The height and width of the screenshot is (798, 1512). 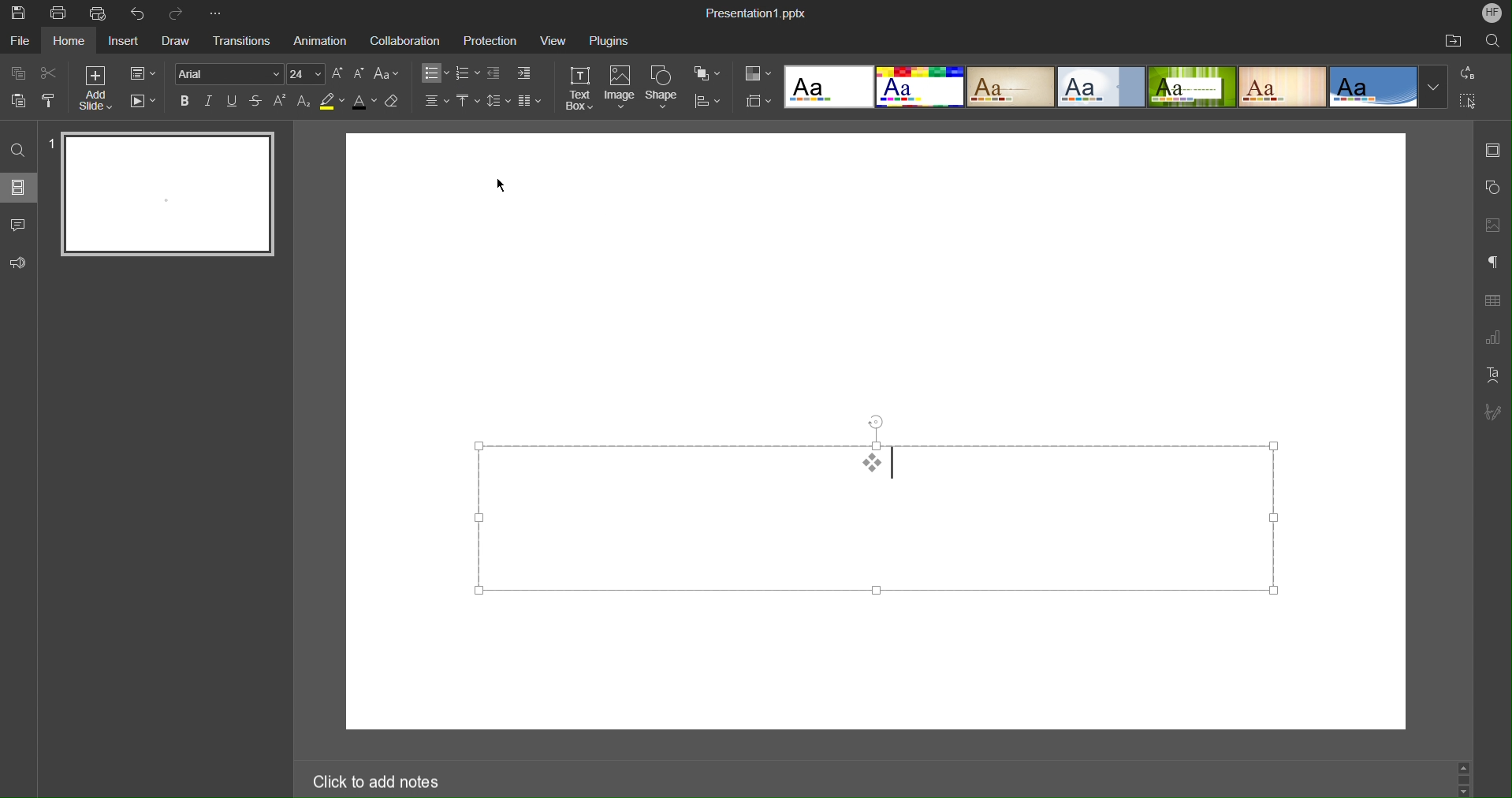 What do you see at coordinates (467, 101) in the screenshot?
I see `Vertical Align` at bounding box center [467, 101].